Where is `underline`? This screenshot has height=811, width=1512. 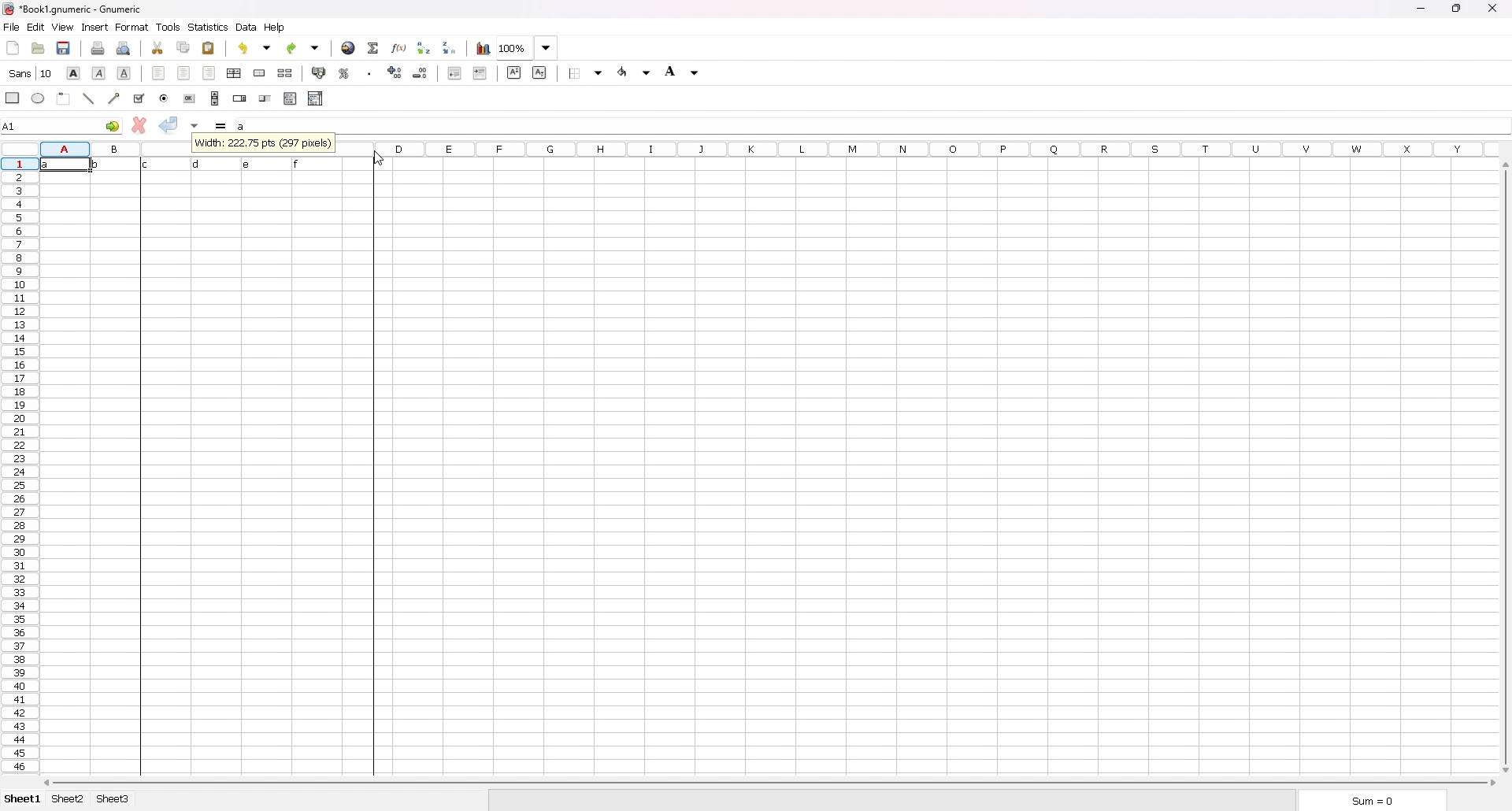
underline is located at coordinates (125, 73).